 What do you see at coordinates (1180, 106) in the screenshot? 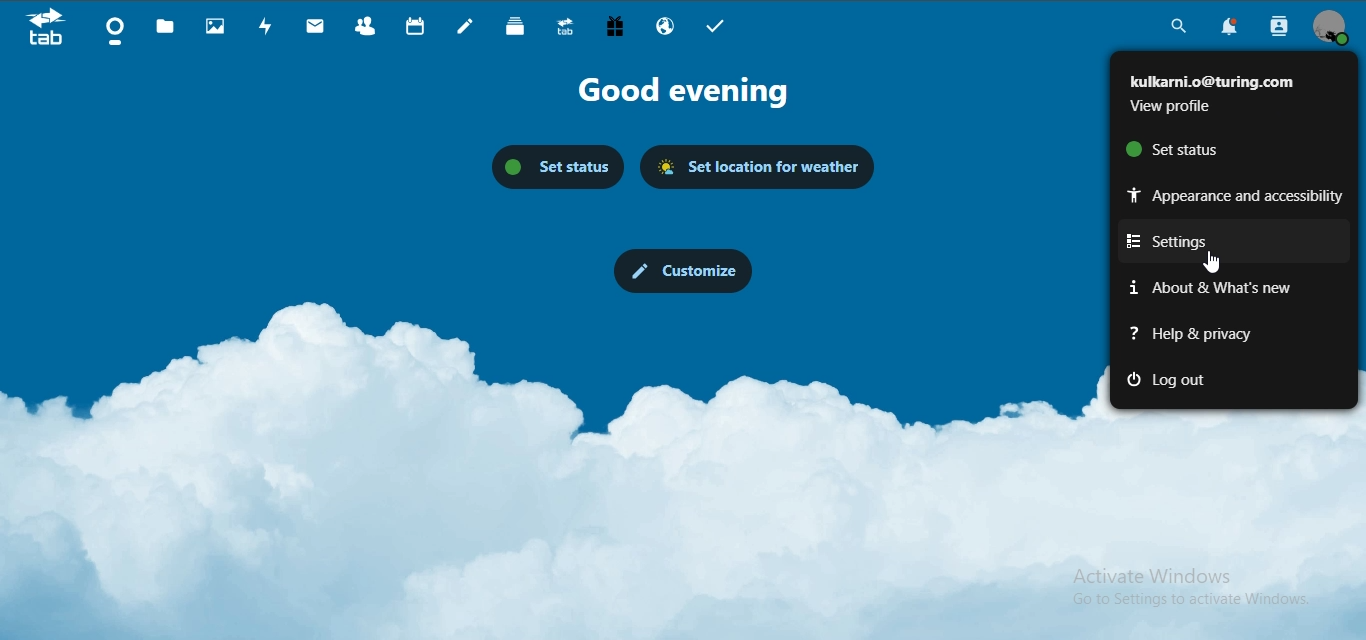
I see `view profile` at bounding box center [1180, 106].